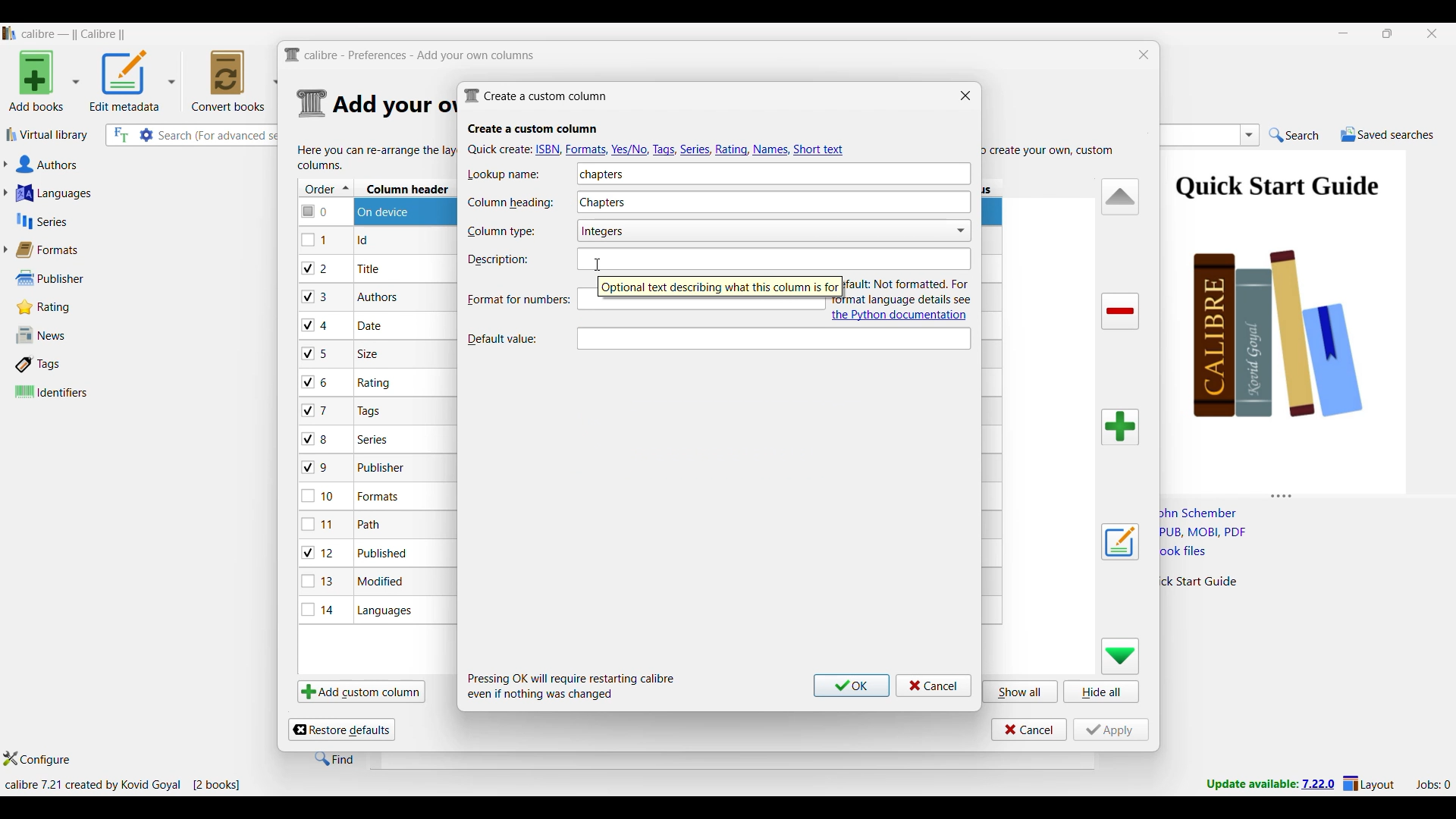 This screenshot has width=1456, height=819. Describe the element at coordinates (1121, 312) in the screenshot. I see `Delete column` at that location.